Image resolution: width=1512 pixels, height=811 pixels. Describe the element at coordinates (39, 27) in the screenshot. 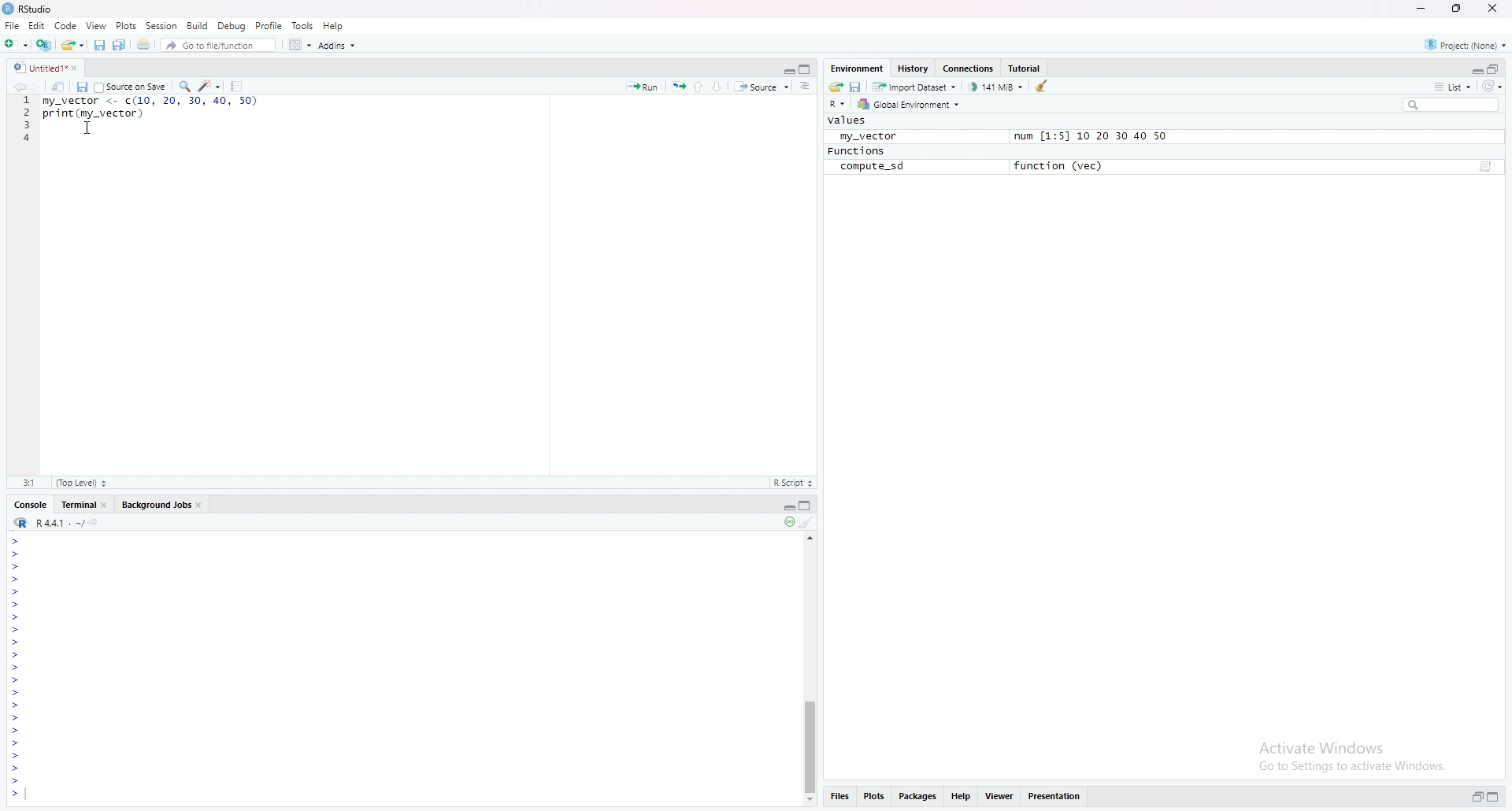

I see `Edit` at that location.